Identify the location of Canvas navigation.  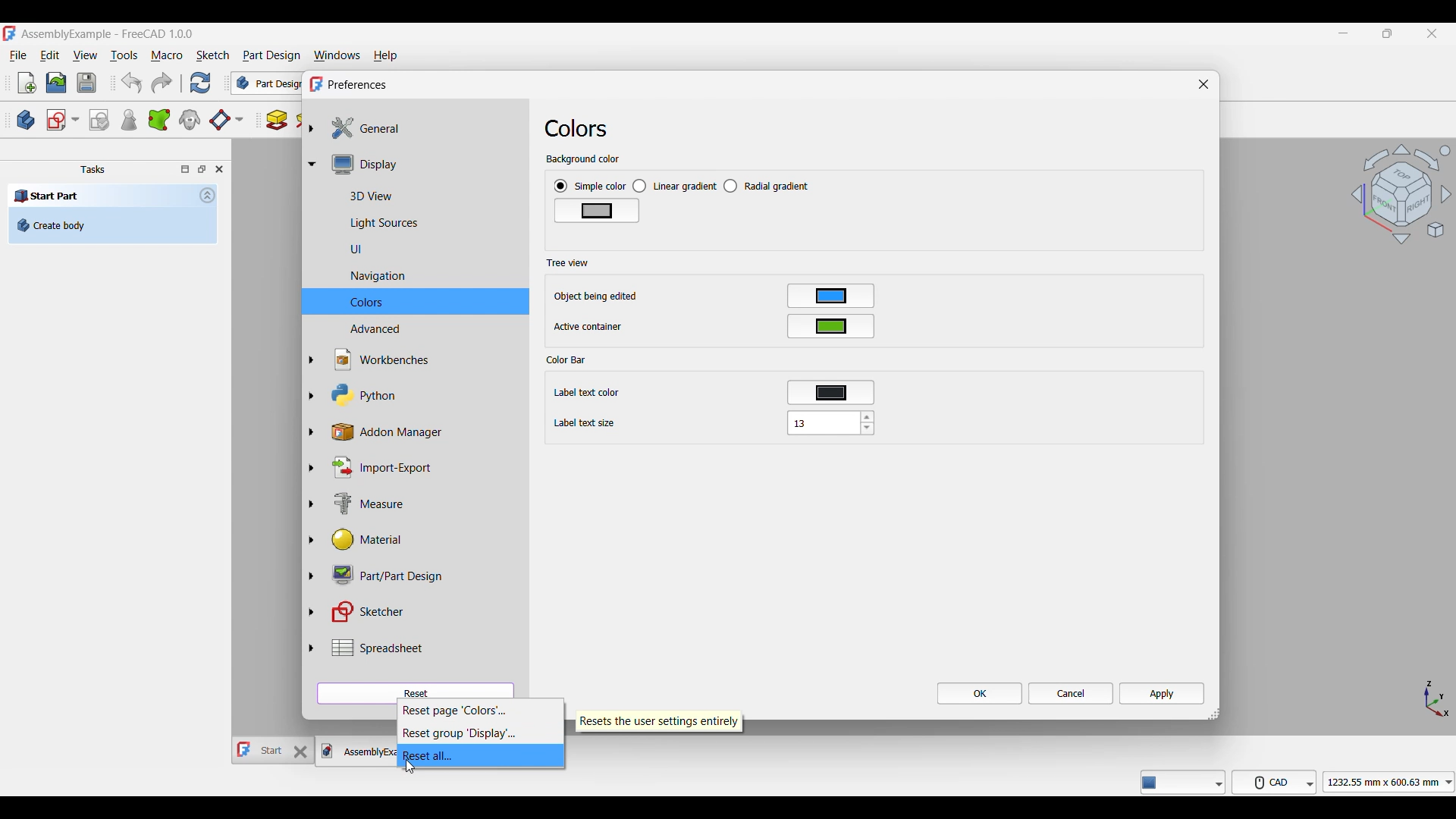
(1401, 193).